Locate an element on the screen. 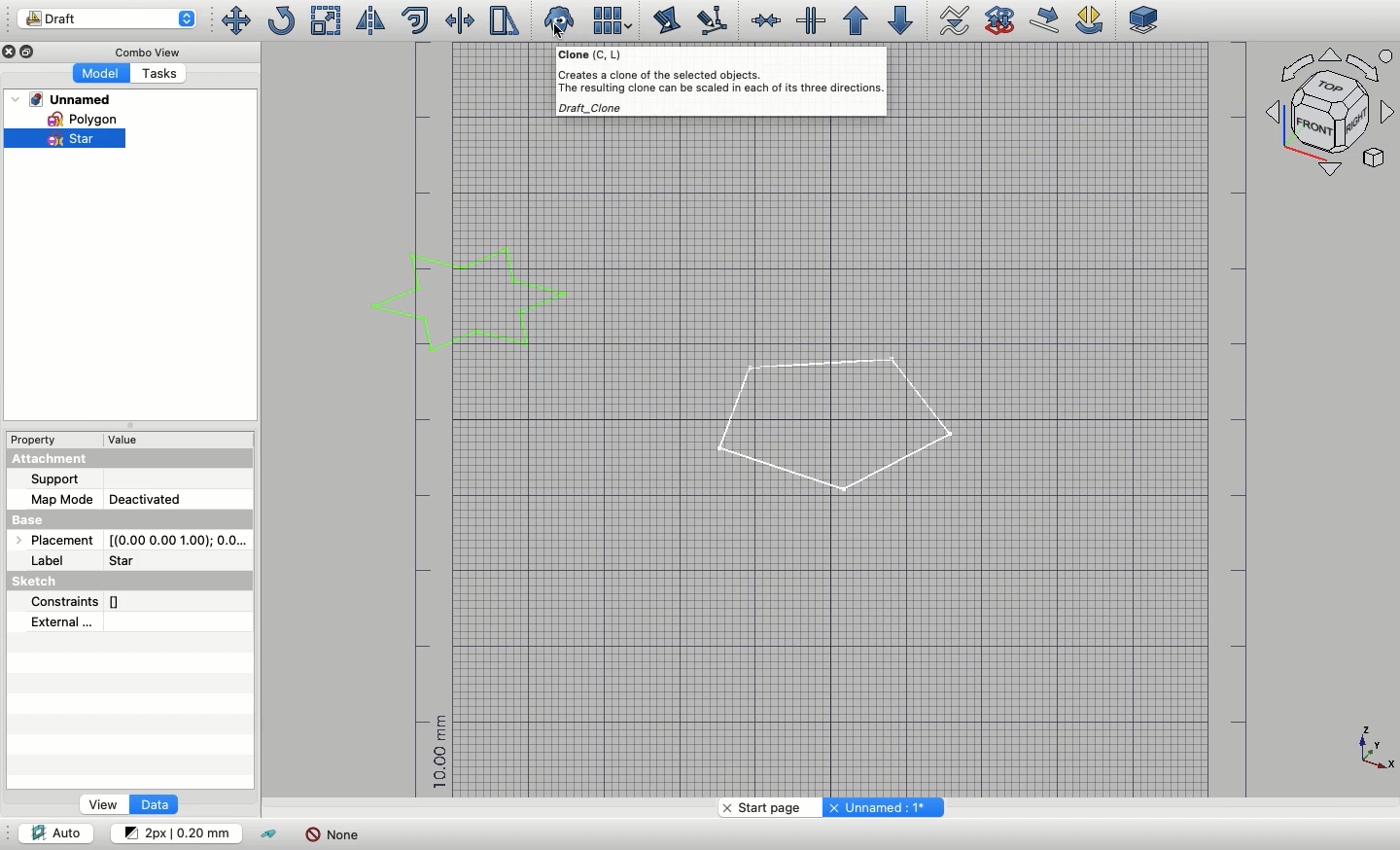 The width and height of the screenshot is (1400, 850). Mirror is located at coordinates (368, 20).